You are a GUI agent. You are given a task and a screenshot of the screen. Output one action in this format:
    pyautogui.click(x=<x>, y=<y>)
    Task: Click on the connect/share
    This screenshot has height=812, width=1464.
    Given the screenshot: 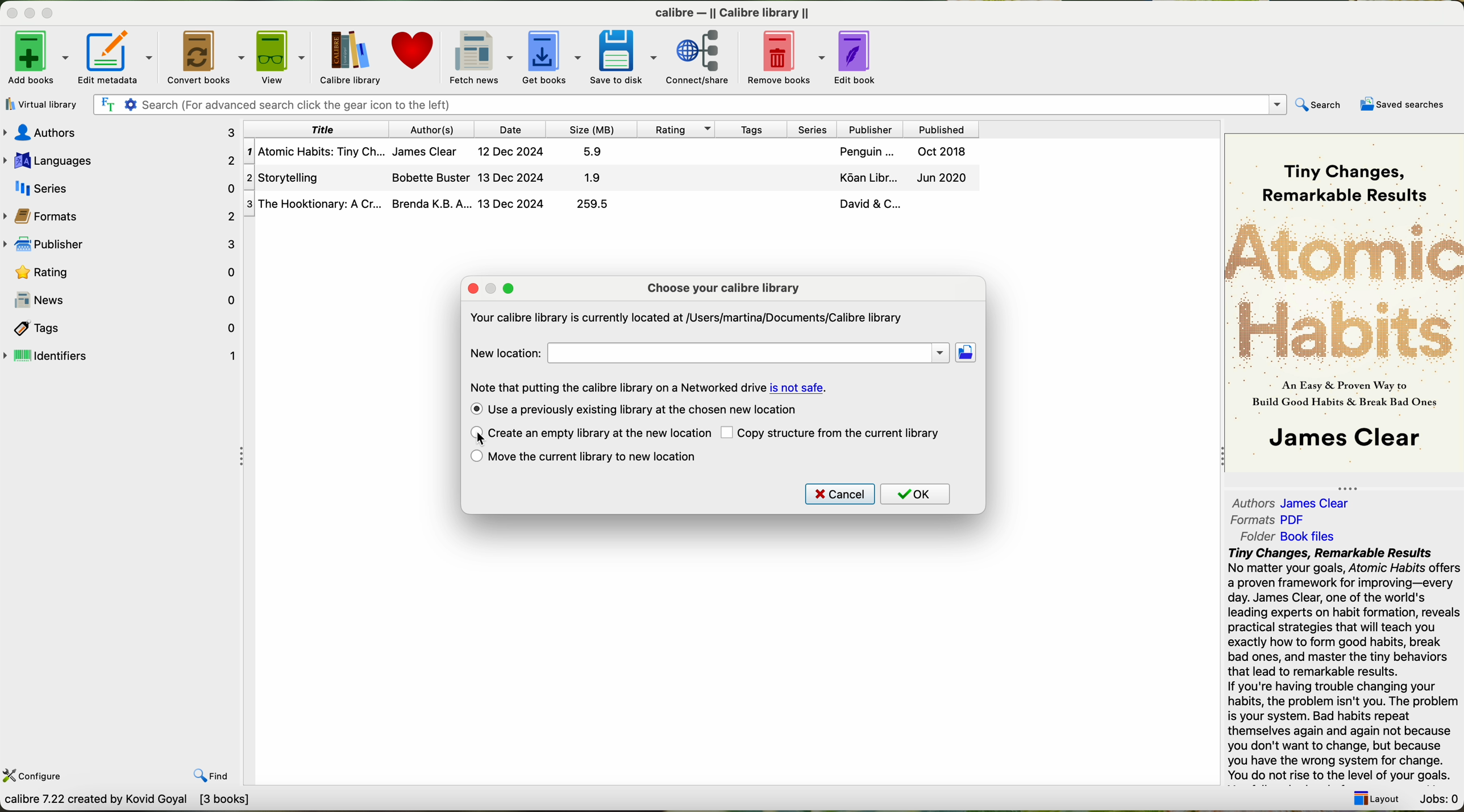 What is the action you would take?
    pyautogui.click(x=705, y=56)
    